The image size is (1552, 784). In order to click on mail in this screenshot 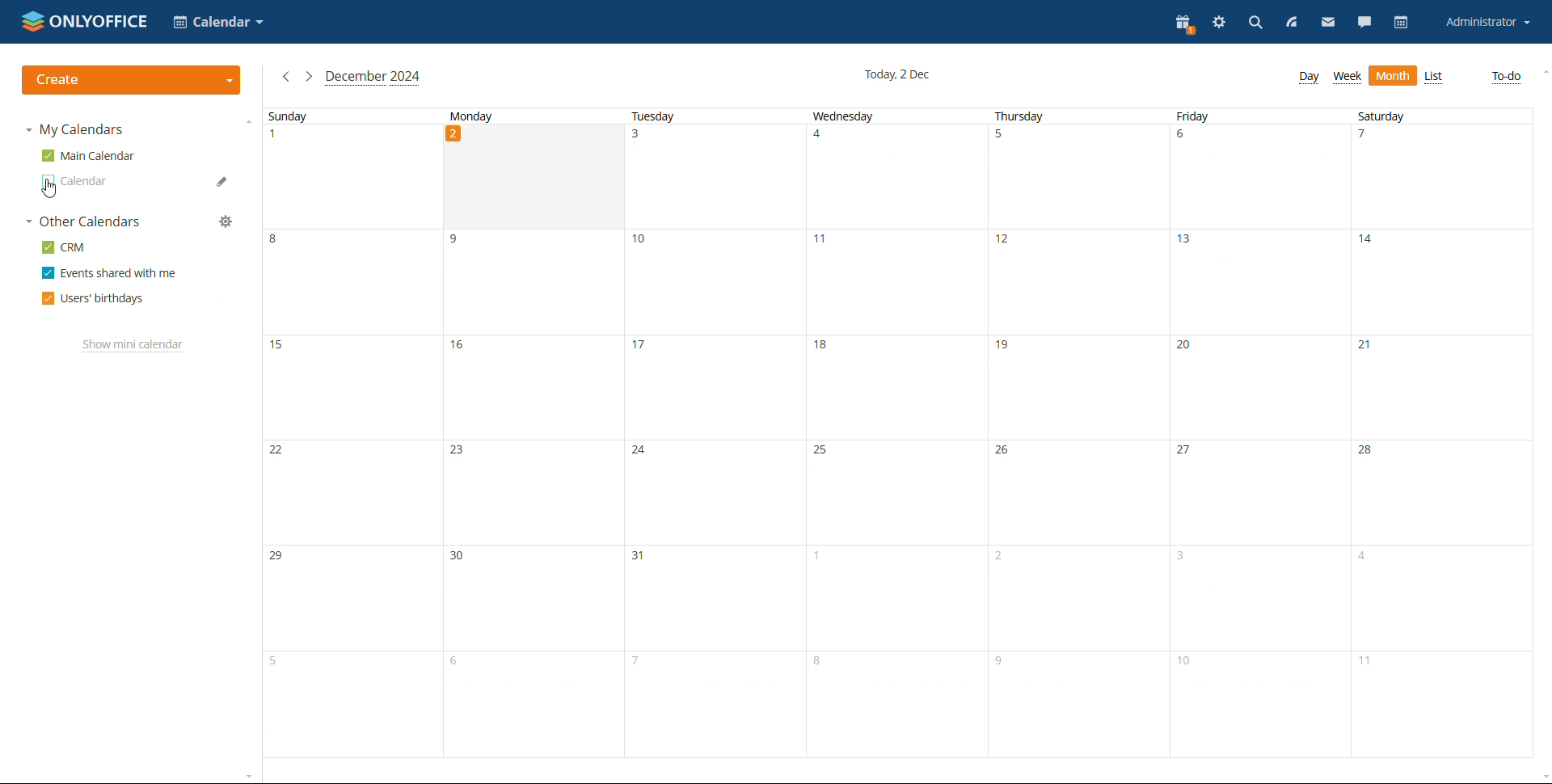, I will do `click(1327, 24)`.